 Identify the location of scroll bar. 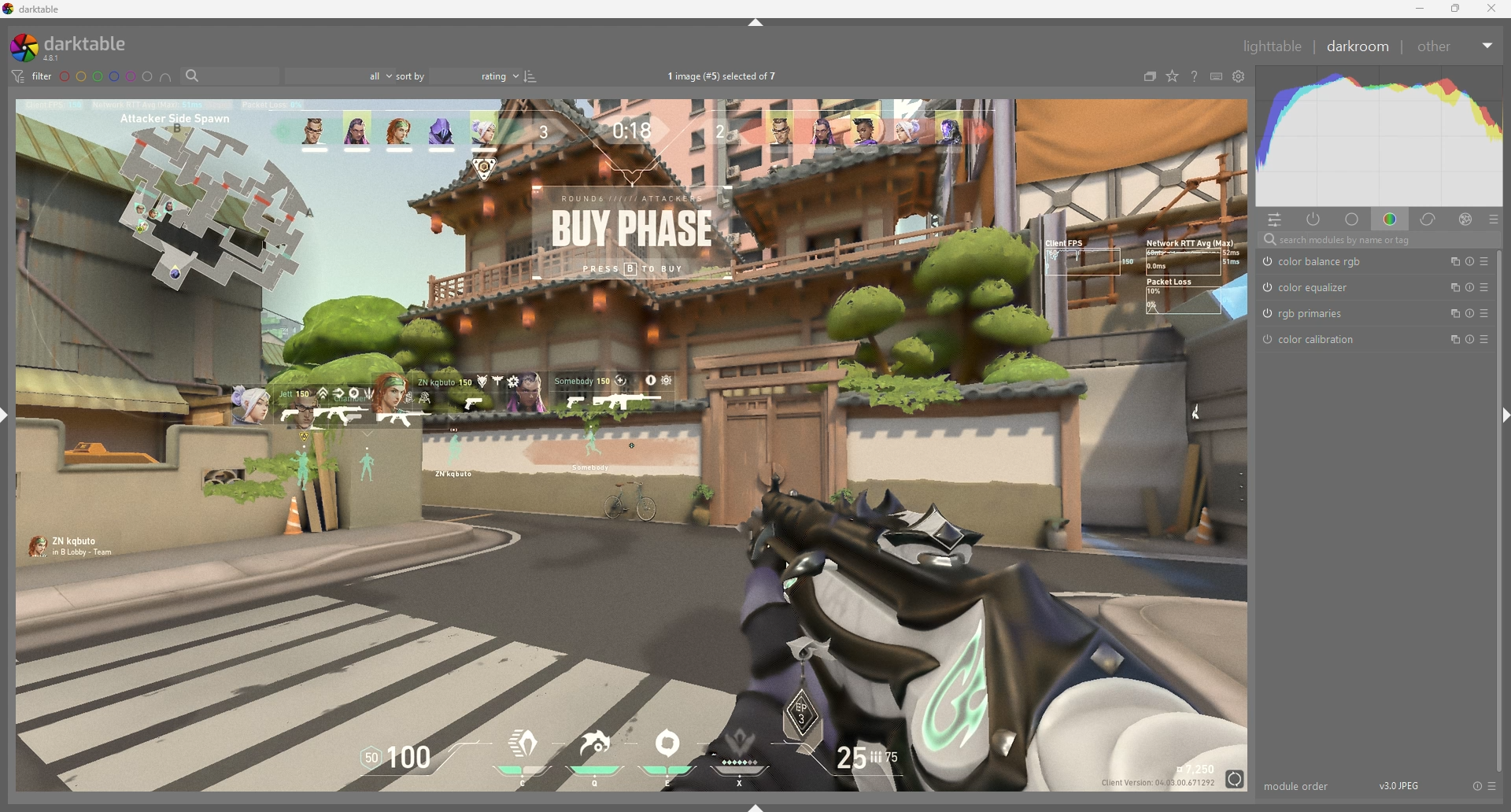
(1502, 513).